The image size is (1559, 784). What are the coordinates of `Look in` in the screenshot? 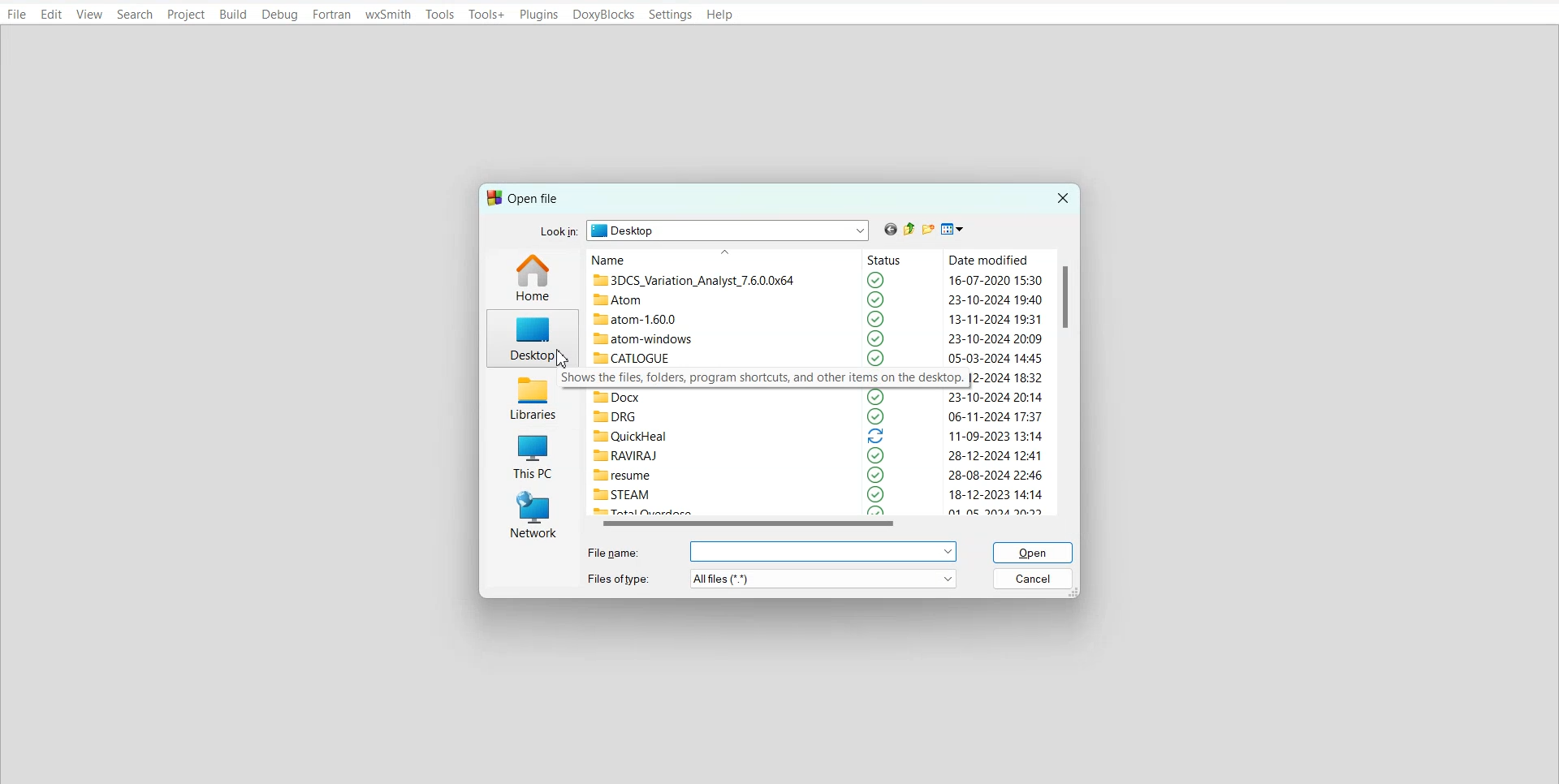 It's located at (704, 230).